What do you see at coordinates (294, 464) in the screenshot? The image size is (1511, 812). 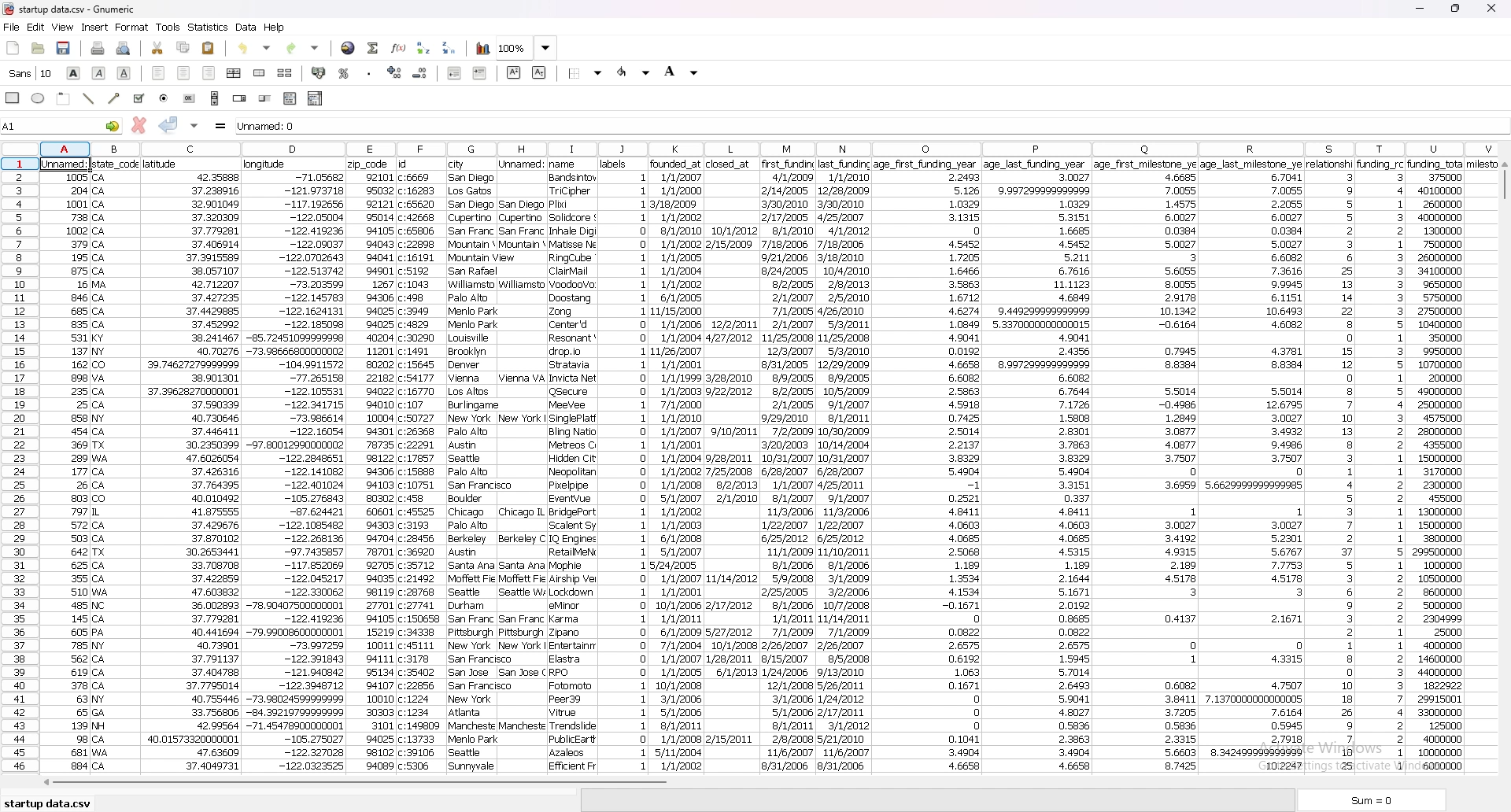 I see `data` at bounding box center [294, 464].